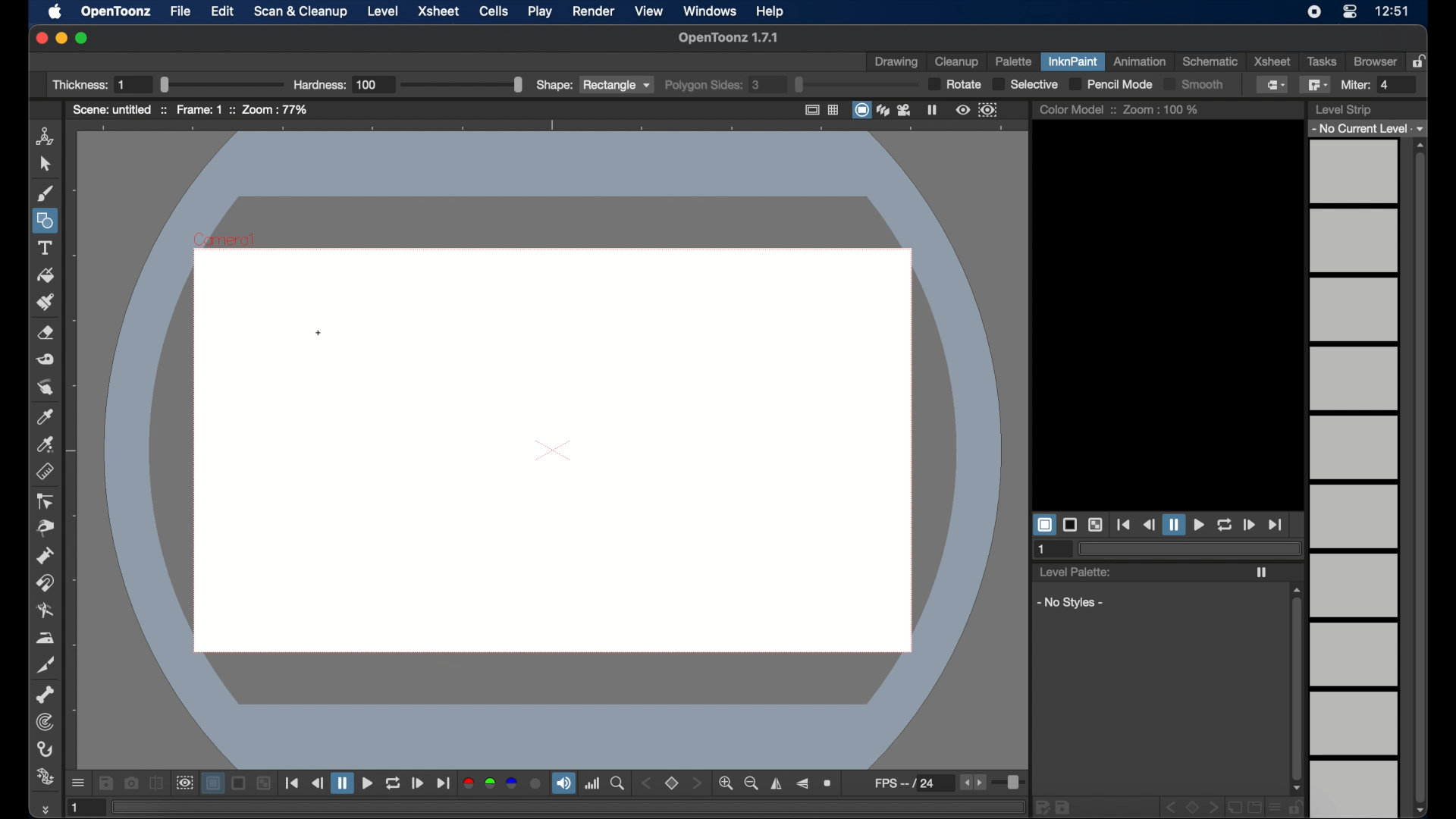  I want to click on animation, so click(1141, 61).